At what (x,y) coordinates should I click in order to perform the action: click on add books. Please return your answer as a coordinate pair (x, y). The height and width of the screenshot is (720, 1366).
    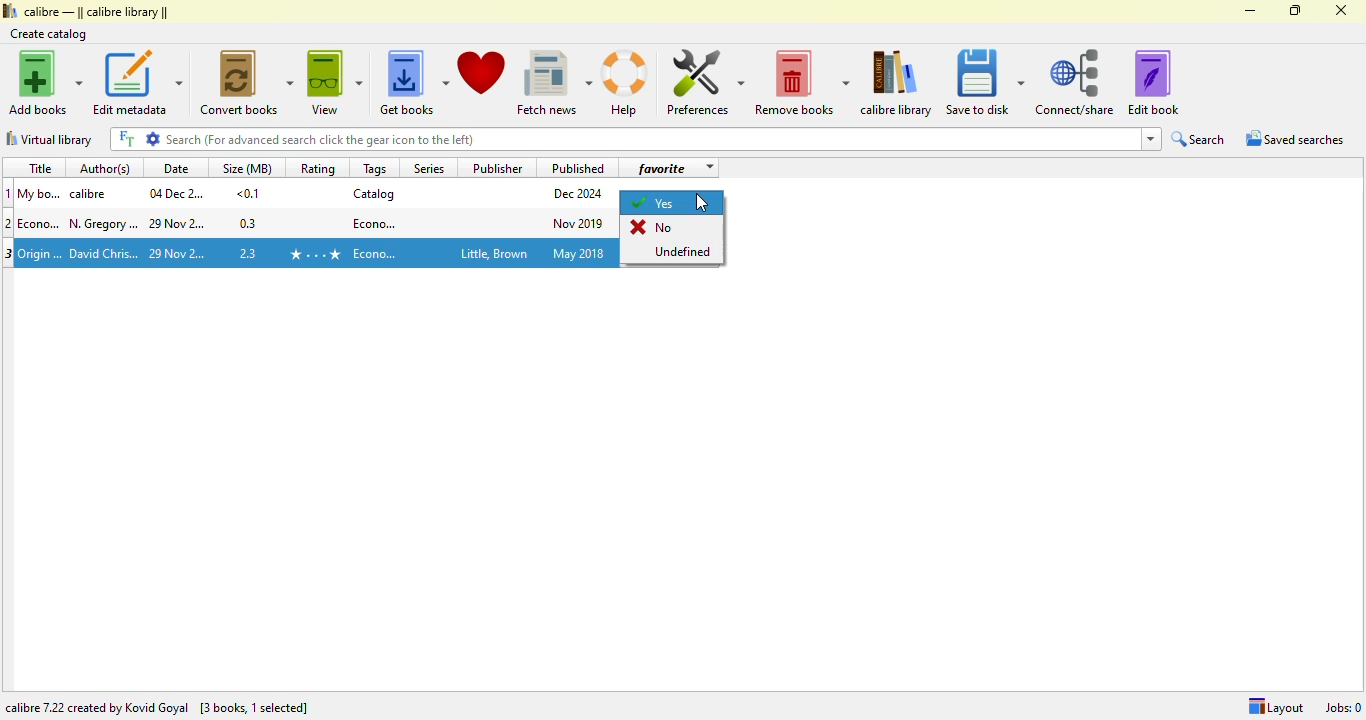
    Looking at the image, I should click on (46, 82).